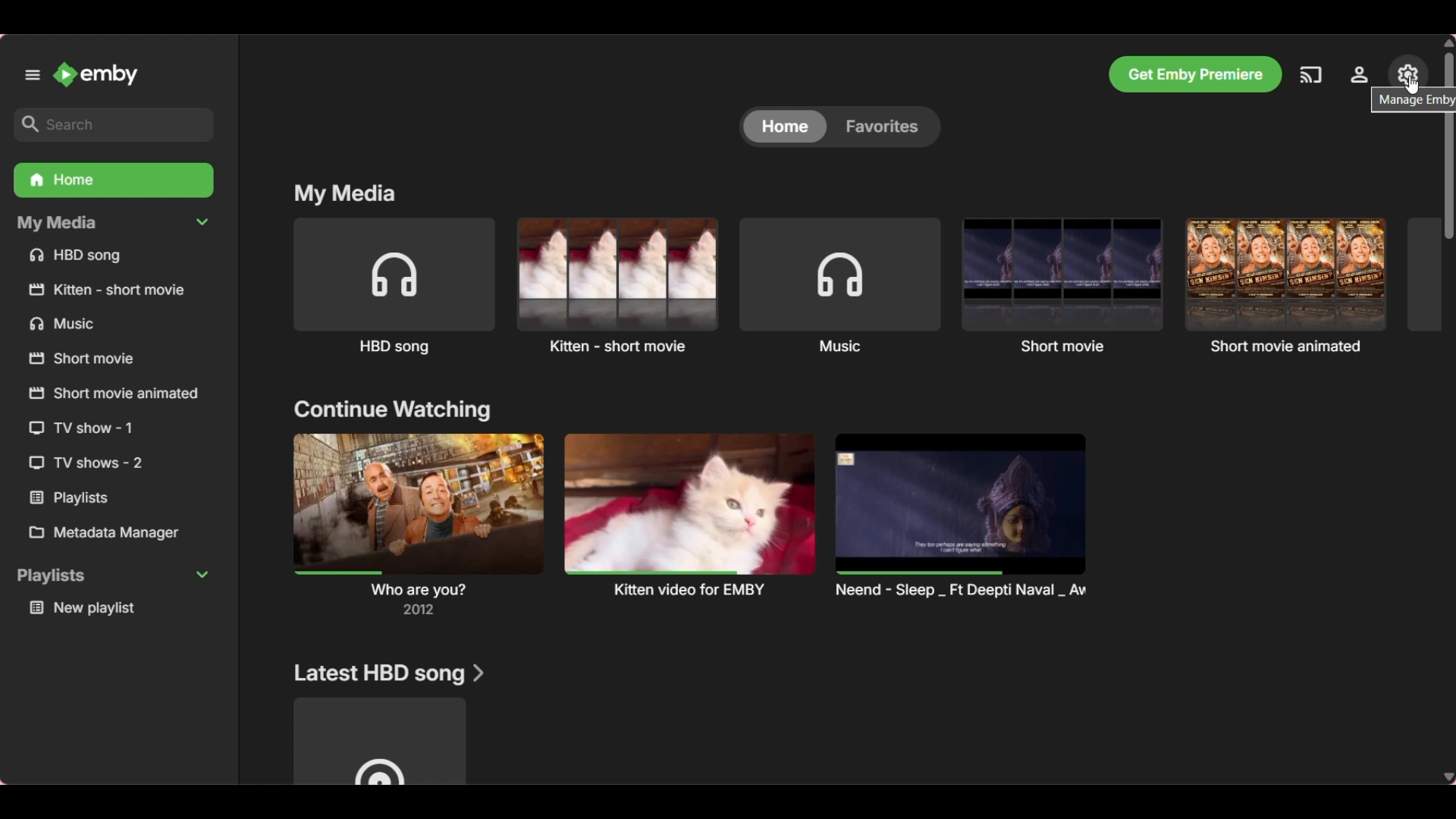 The image size is (1456, 819). What do you see at coordinates (1310, 74) in the screenshot?
I see `Play on another device` at bounding box center [1310, 74].